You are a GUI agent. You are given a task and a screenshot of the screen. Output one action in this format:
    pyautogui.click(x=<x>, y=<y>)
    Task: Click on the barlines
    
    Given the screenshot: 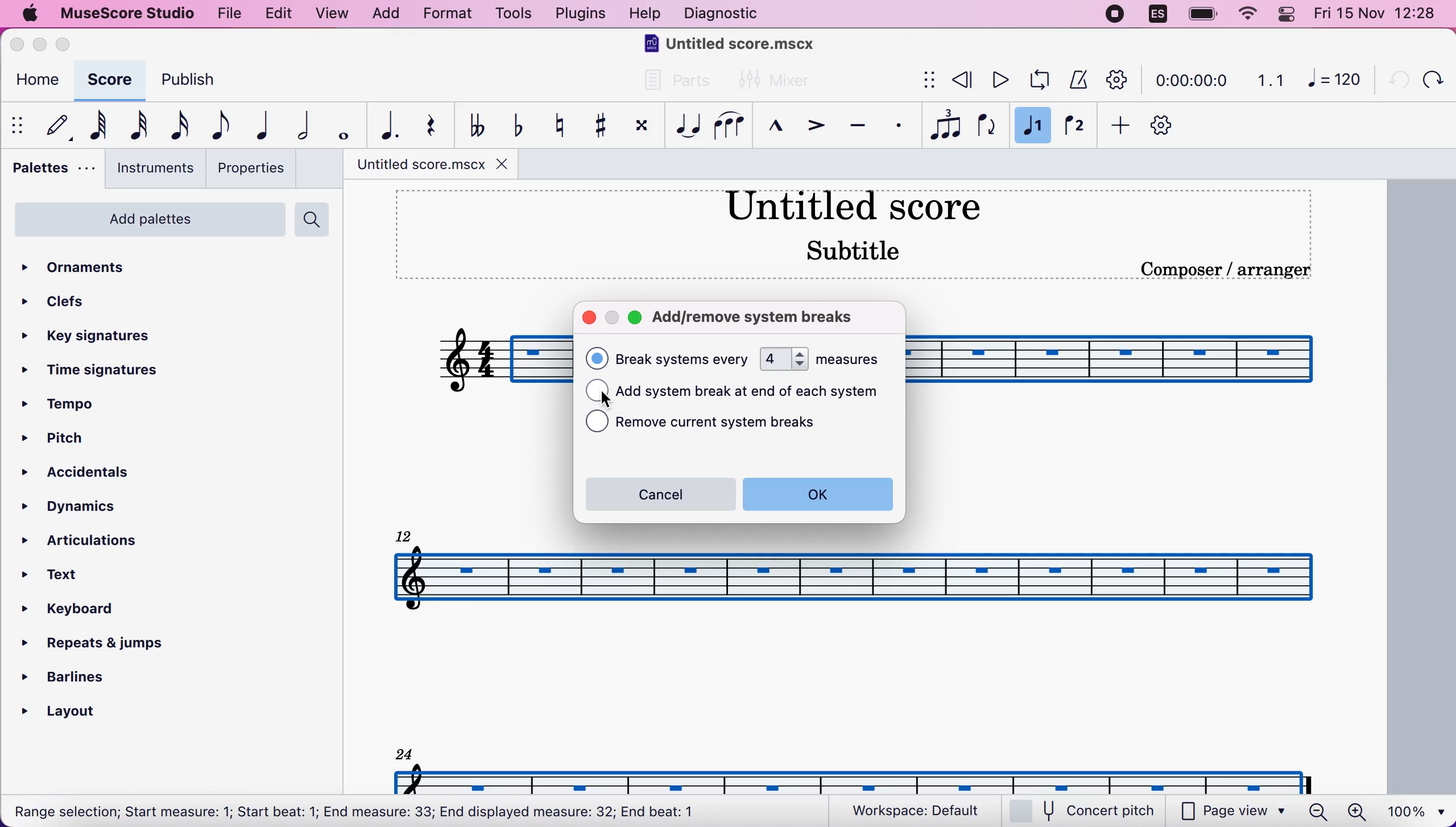 What is the action you would take?
    pyautogui.click(x=94, y=673)
    